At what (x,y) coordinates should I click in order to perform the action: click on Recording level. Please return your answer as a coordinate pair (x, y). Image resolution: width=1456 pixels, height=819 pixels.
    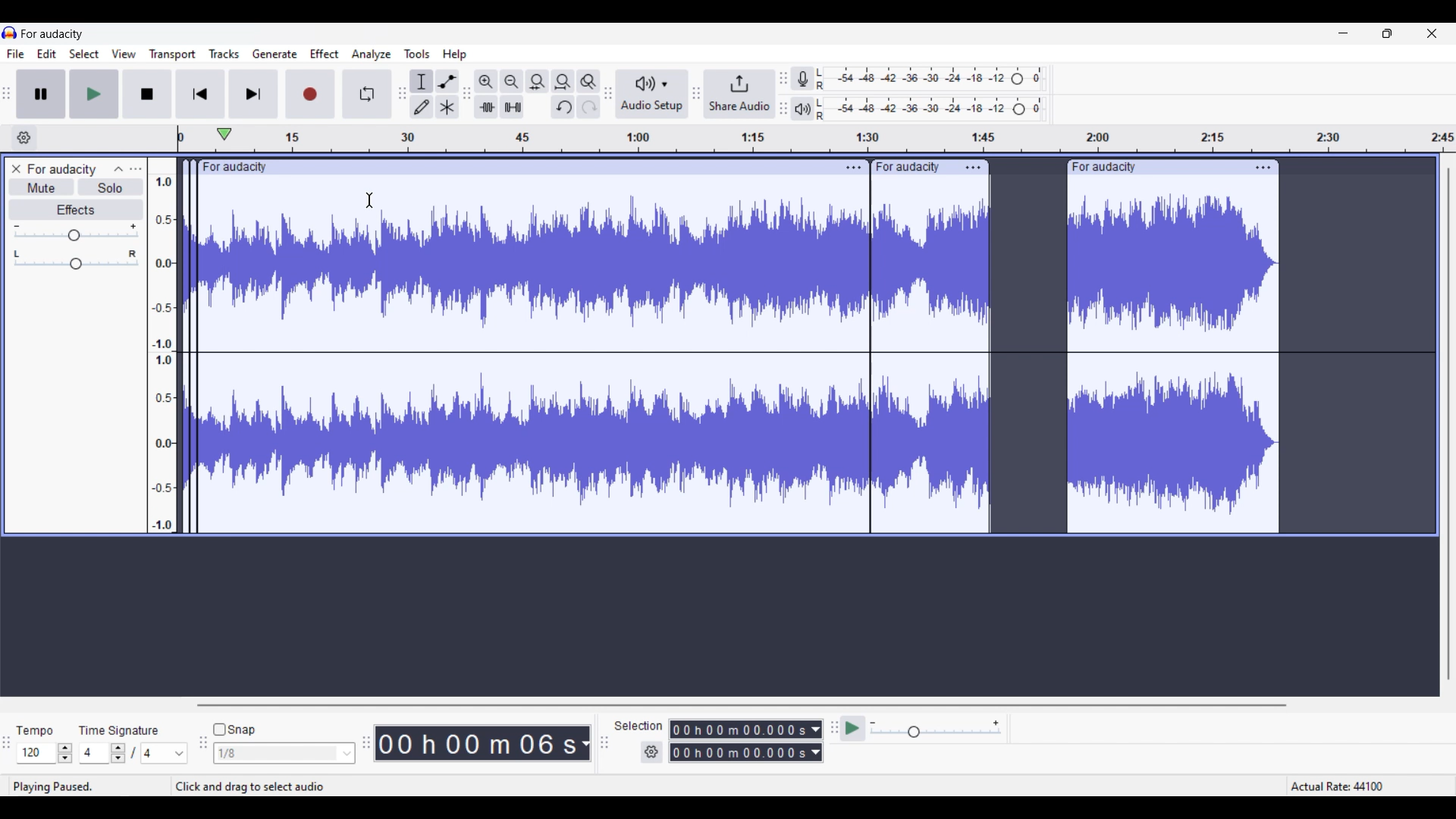
    Looking at the image, I should click on (939, 80).